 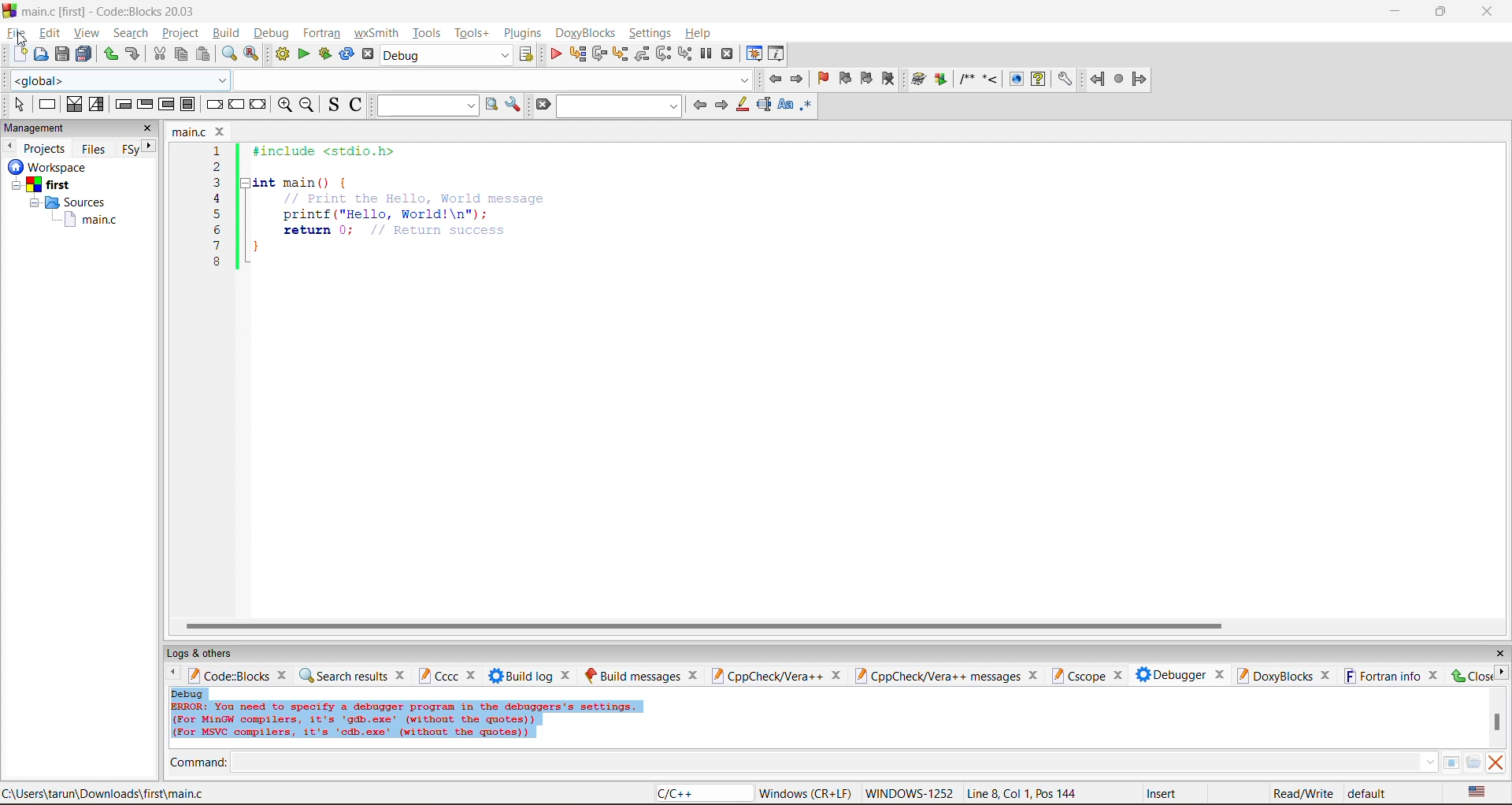 I want to click on insert, so click(x=1165, y=793).